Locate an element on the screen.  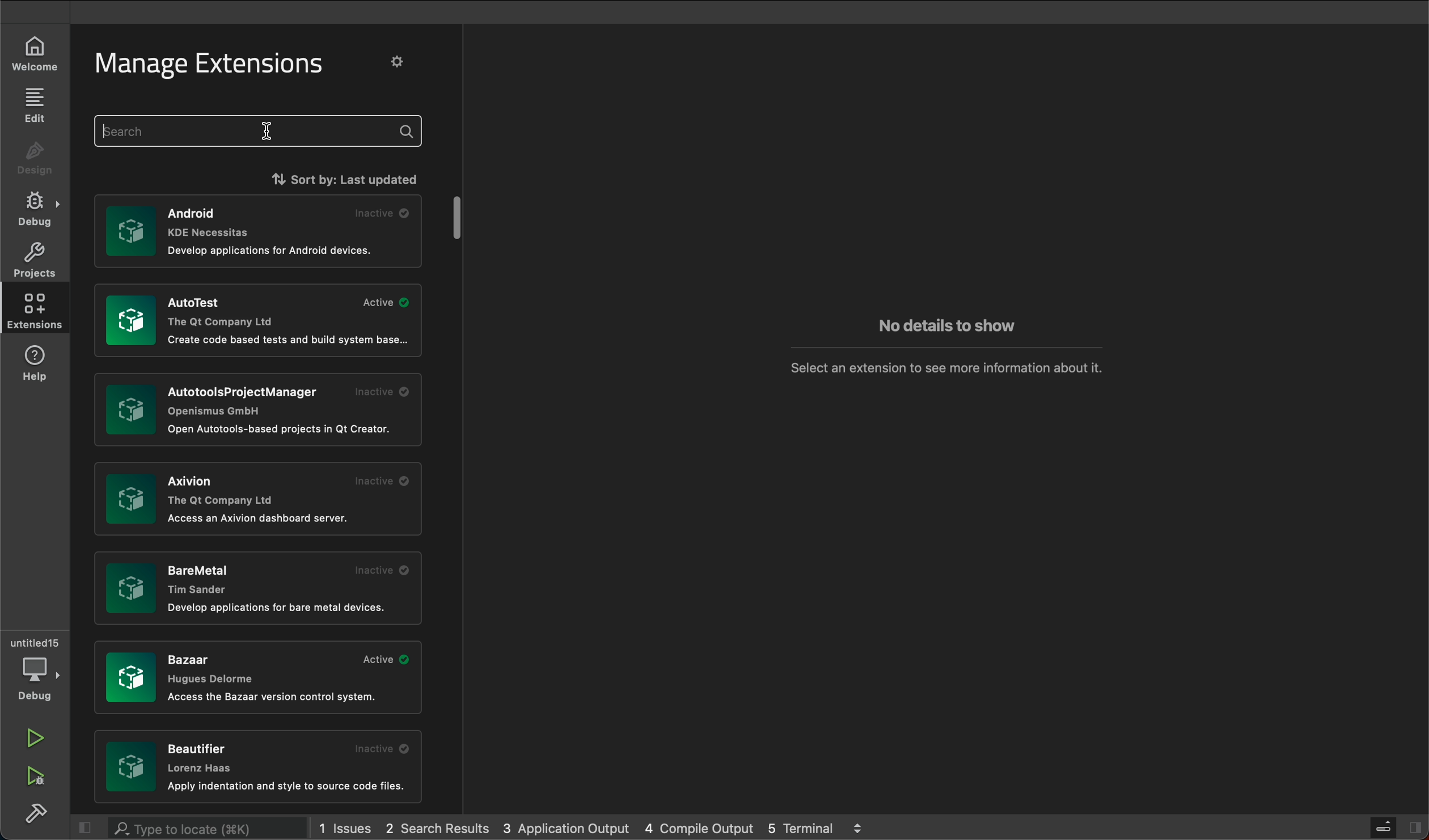
extension text is located at coordinates (206, 575).